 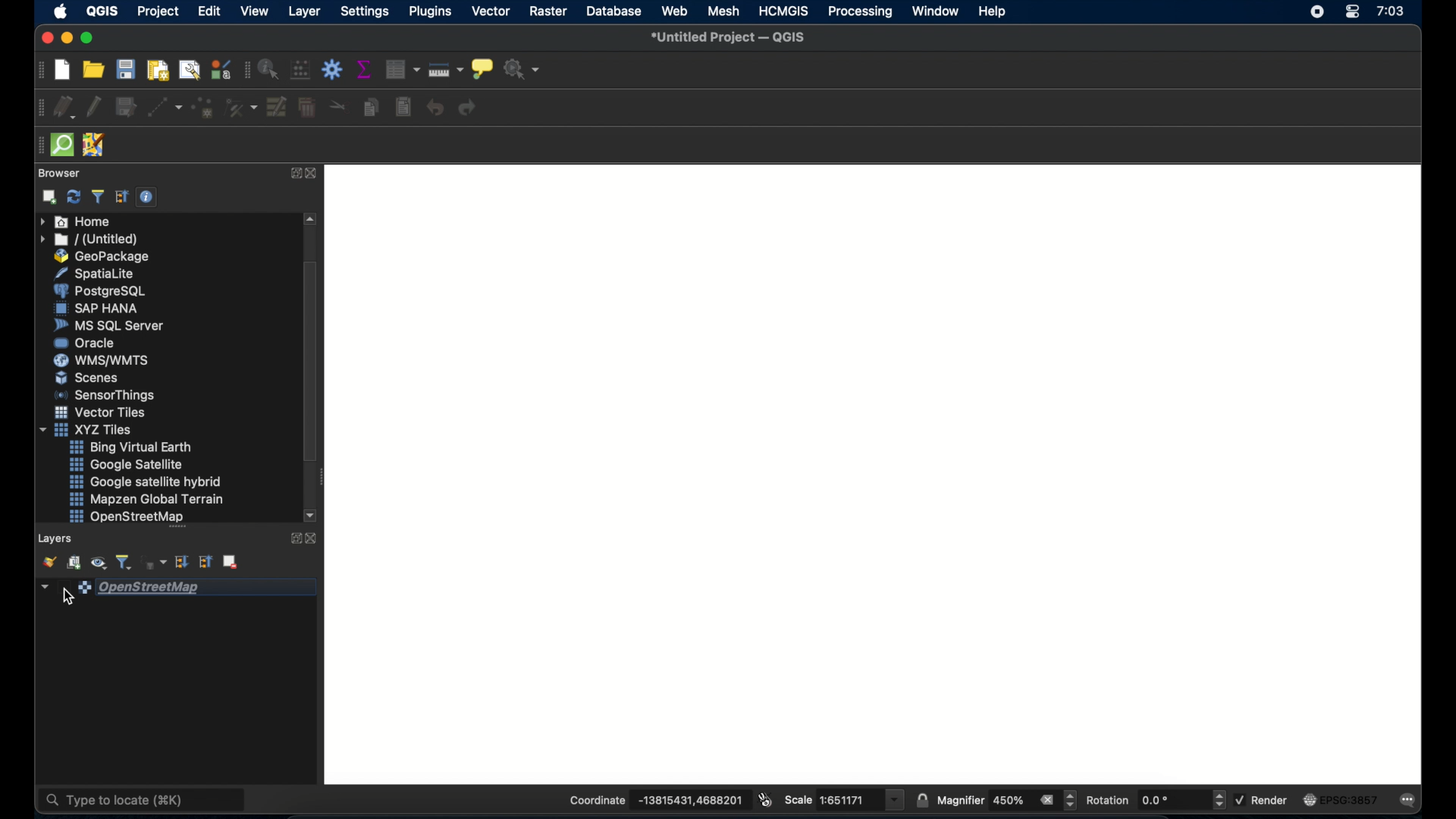 I want to click on expand, so click(x=293, y=174).